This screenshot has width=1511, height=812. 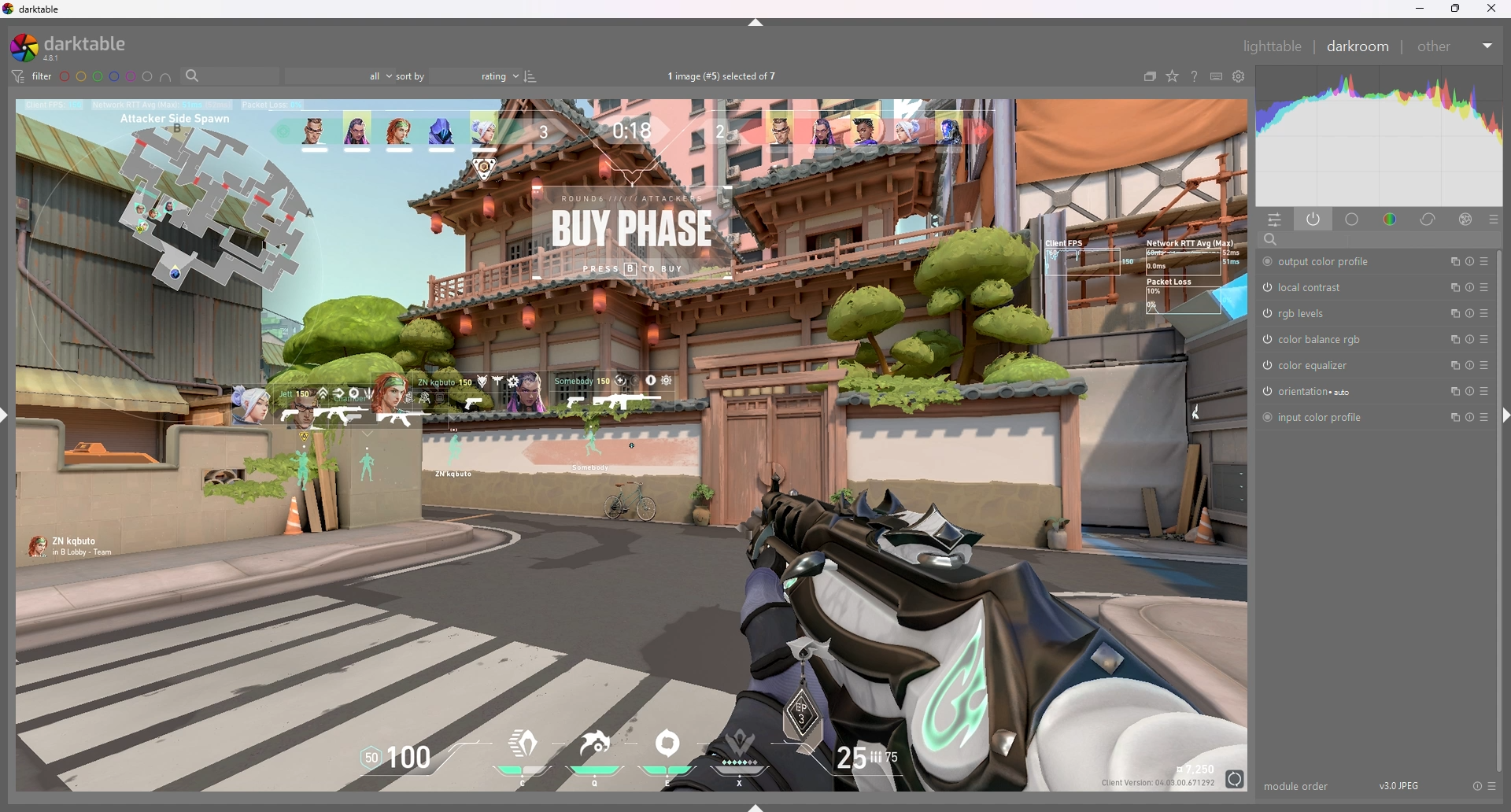 I want to click on orientation, so click(x=1311, y=392).